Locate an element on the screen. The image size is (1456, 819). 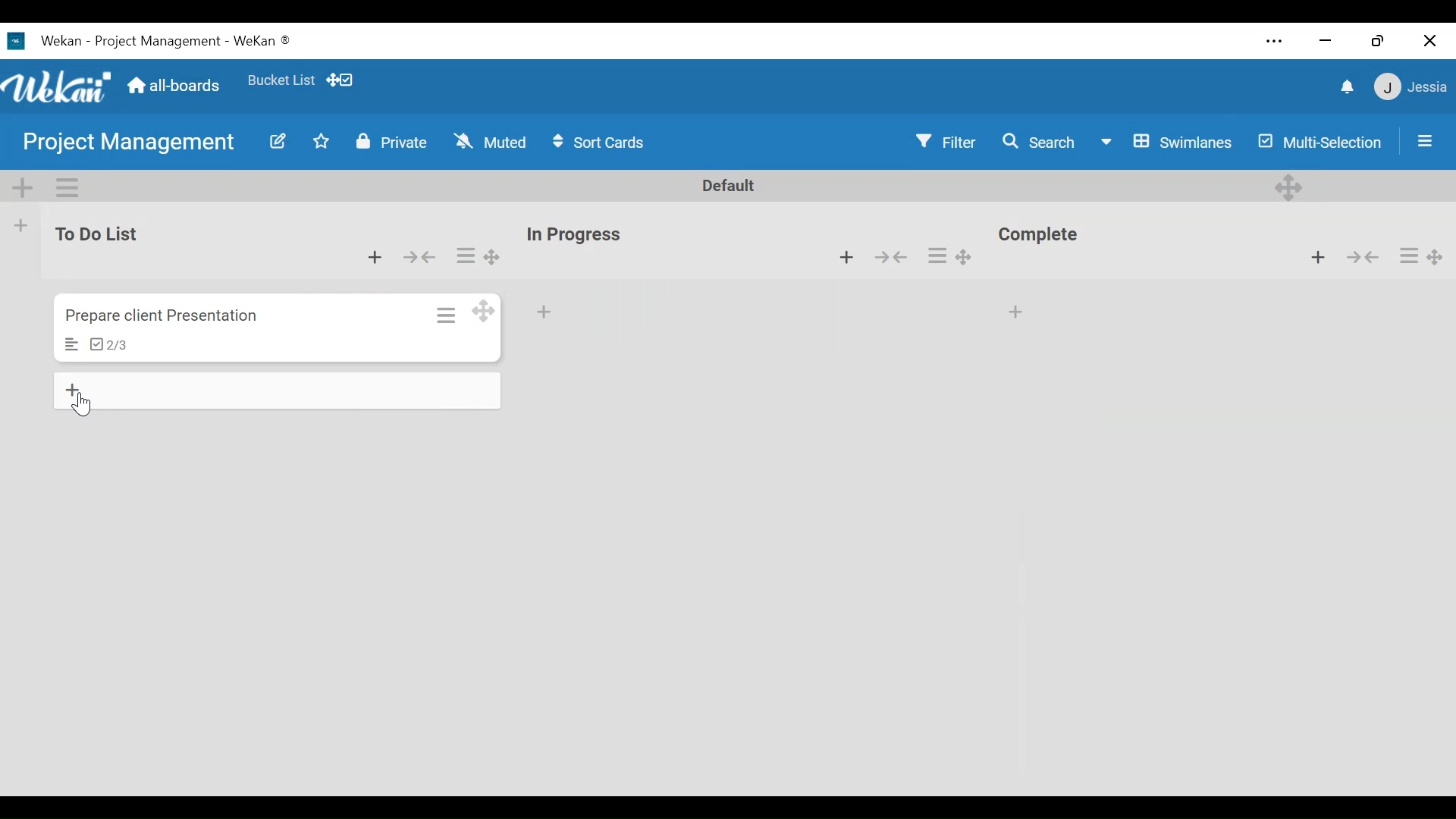
All-boards is located at coordinates (174, 86).